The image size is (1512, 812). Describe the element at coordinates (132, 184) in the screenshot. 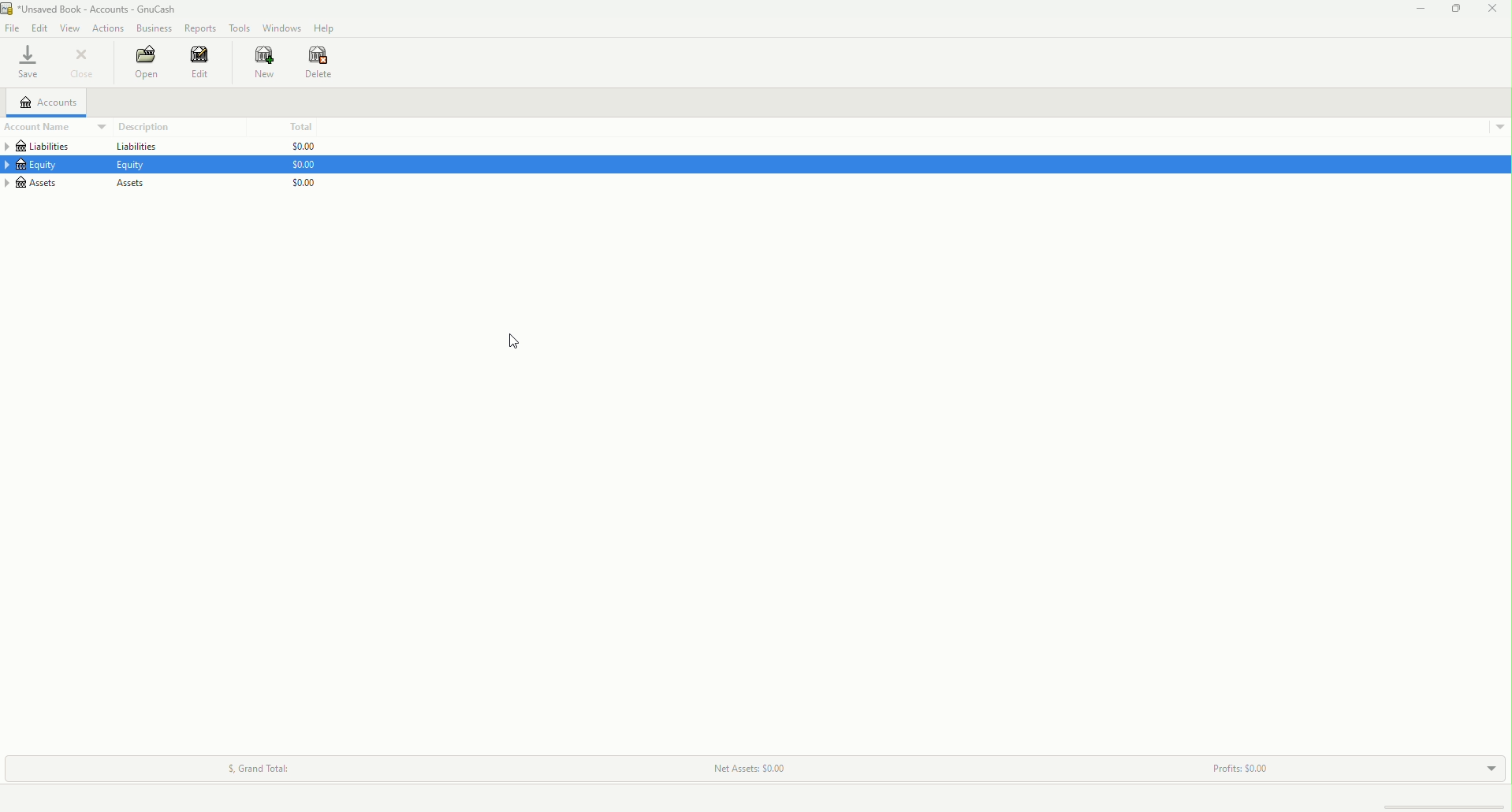

I see `Assets` at that location.